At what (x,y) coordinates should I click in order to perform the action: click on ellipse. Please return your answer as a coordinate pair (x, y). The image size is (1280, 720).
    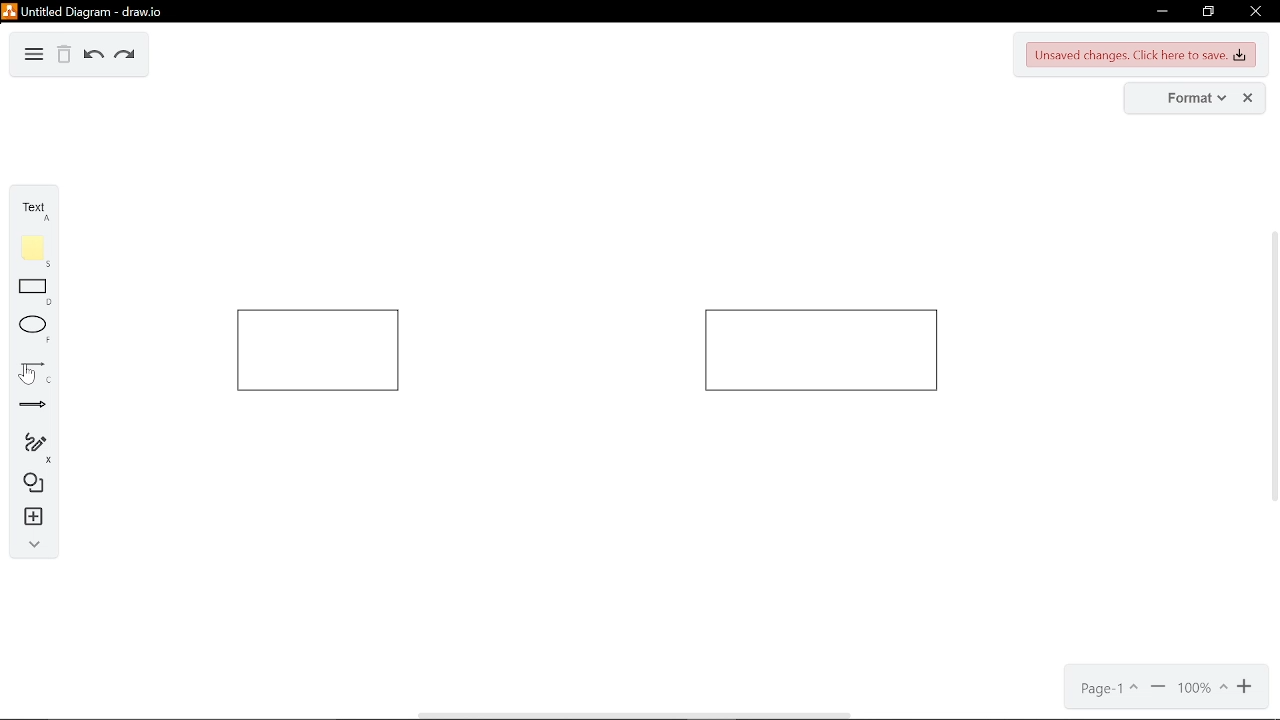
    Looking at the image, I should click on (30, 330).